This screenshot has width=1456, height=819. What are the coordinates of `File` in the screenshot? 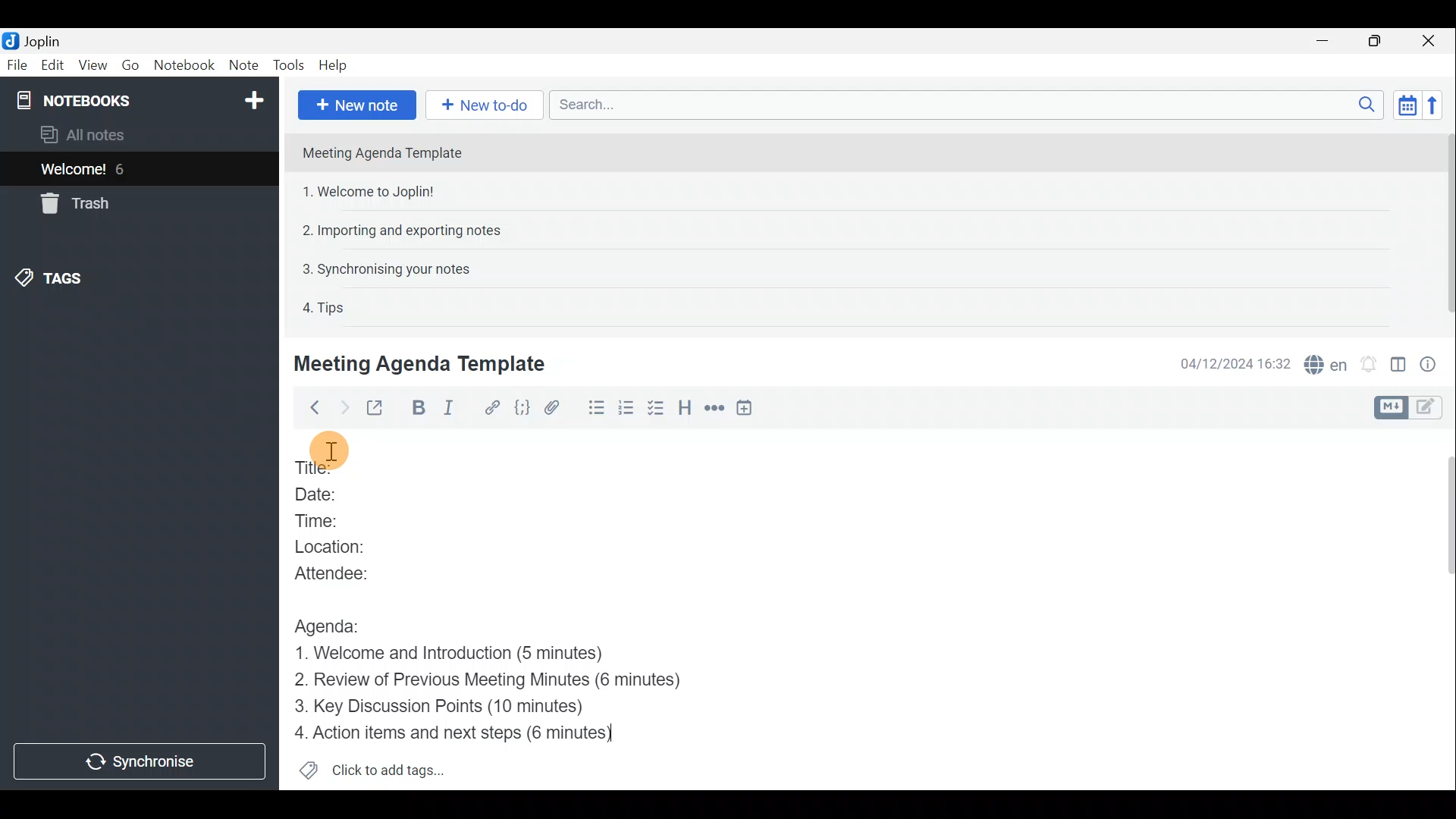 It's located at (17, 64).